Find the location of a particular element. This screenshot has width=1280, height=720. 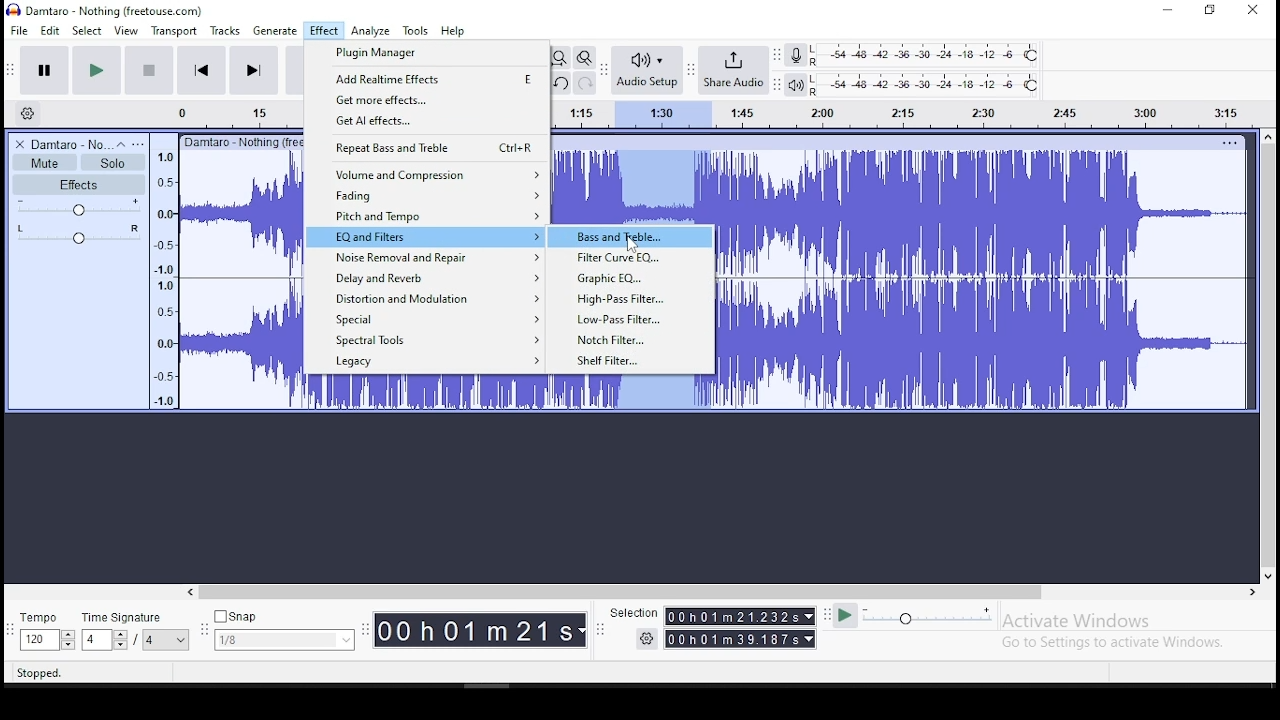

Settings is located at coordinates (648, 638).